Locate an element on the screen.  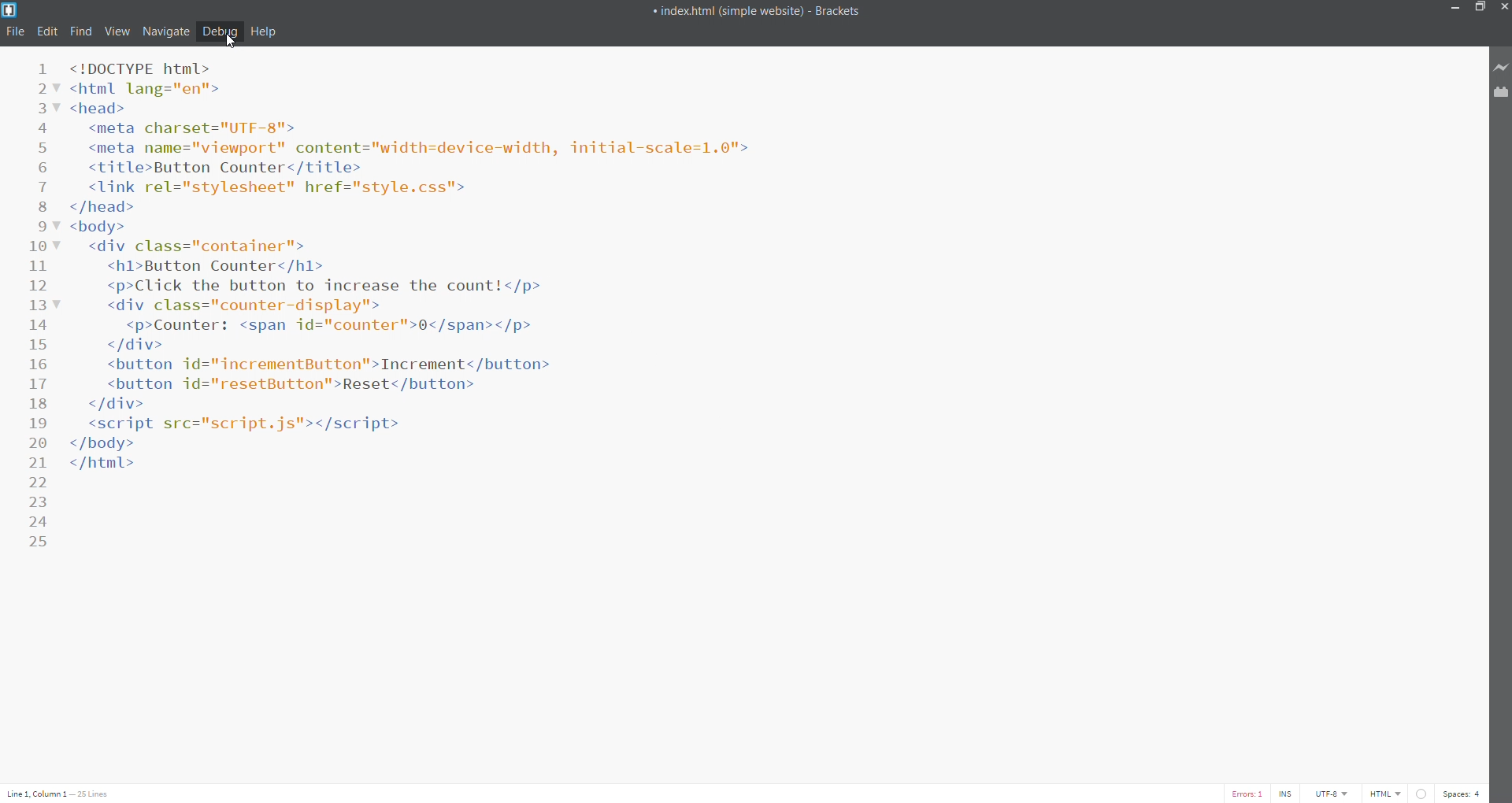
file type is located at coordinates (1384, 794).